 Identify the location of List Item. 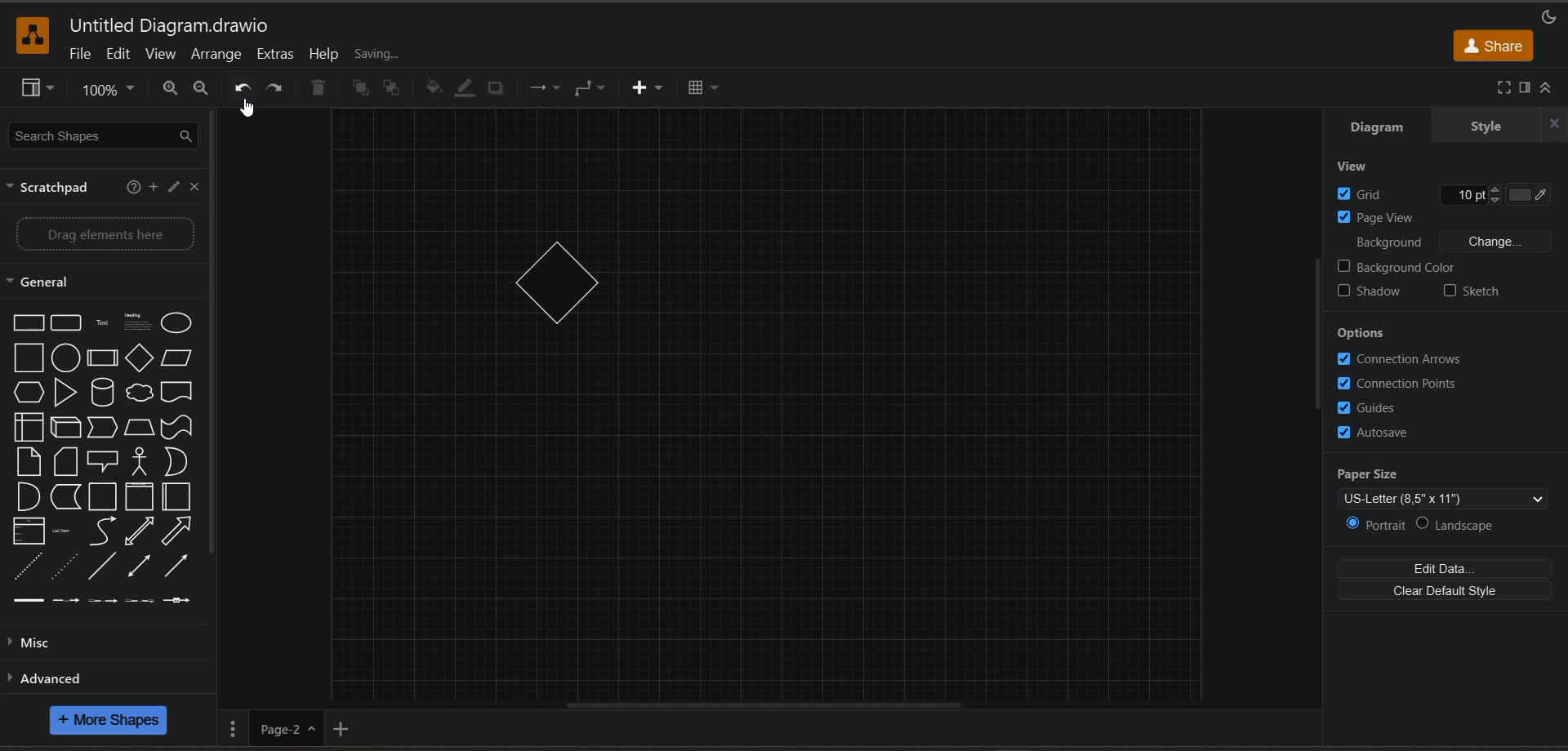
(60, 532).